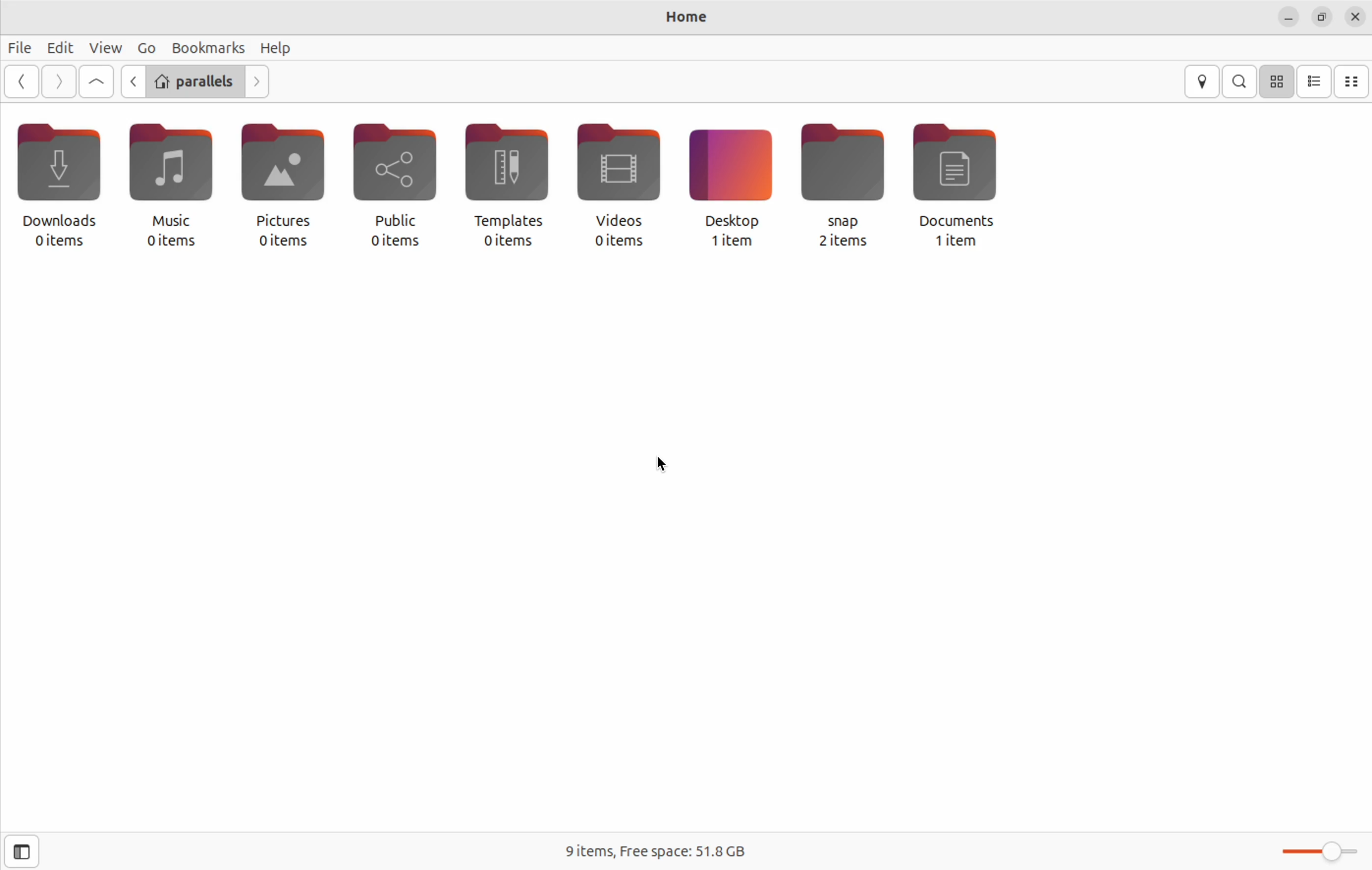 The height and width of the screenshot is (870, 1372). Describe the element at coordinates (1315, 81) in the screenshot. I see `list view` at that location.